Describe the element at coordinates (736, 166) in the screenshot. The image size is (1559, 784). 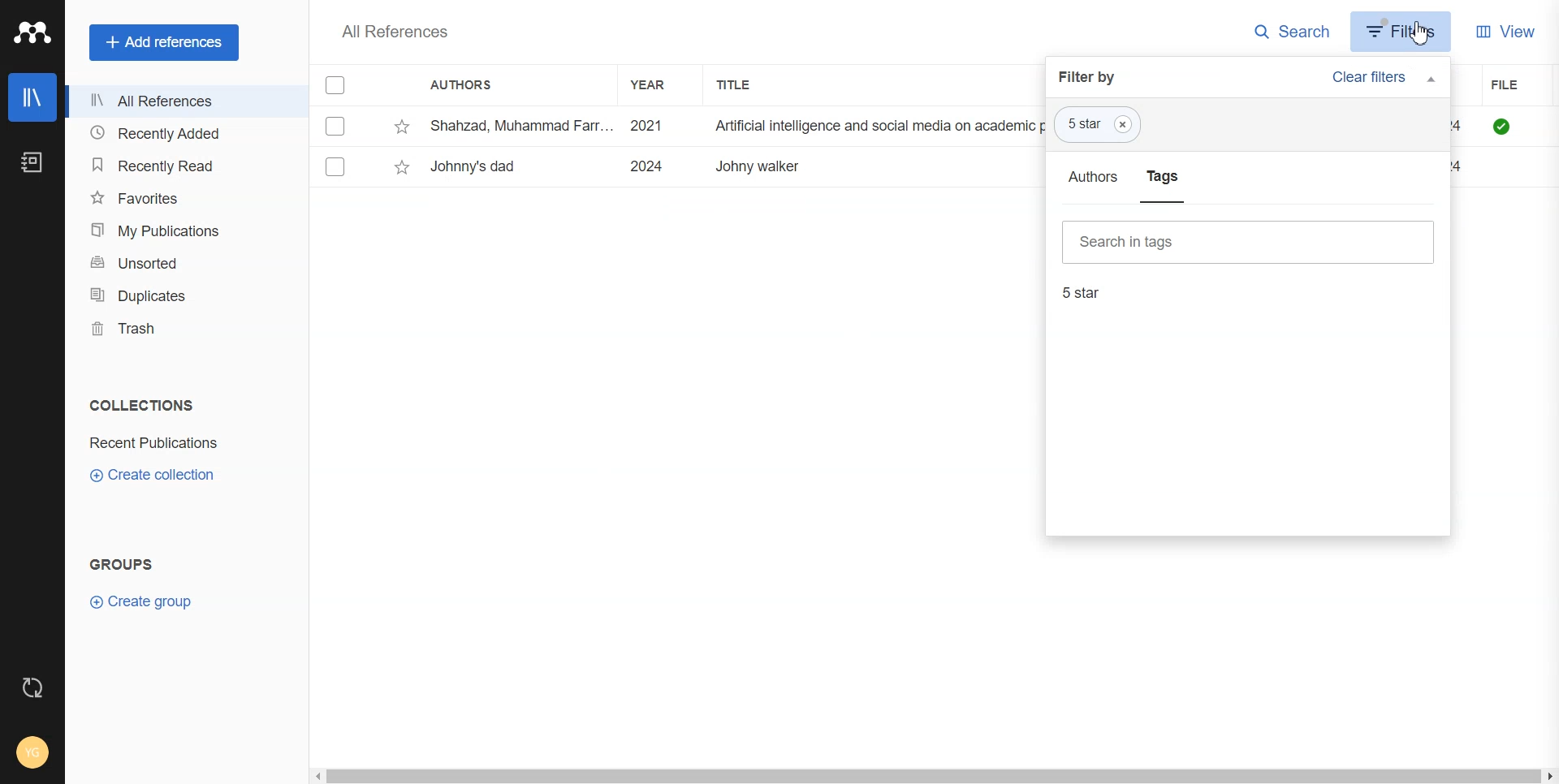
I see `Ezquerro, L.; Coimbra, R.; ... 2023 Large dinosaur egg accumulations and their significance for understanding ne... Geoscience Frontiers ~~ 12/18/2024` at that location.